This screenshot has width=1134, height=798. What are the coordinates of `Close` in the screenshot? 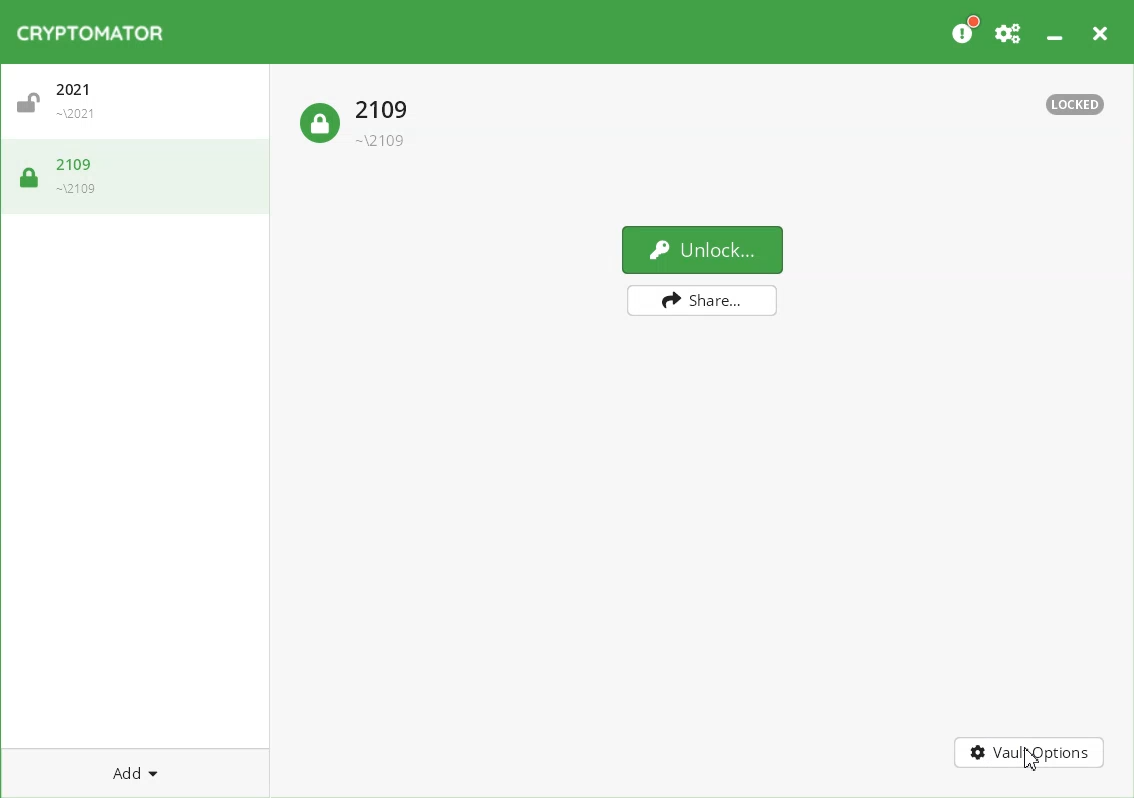 It's located at (1102, 32).